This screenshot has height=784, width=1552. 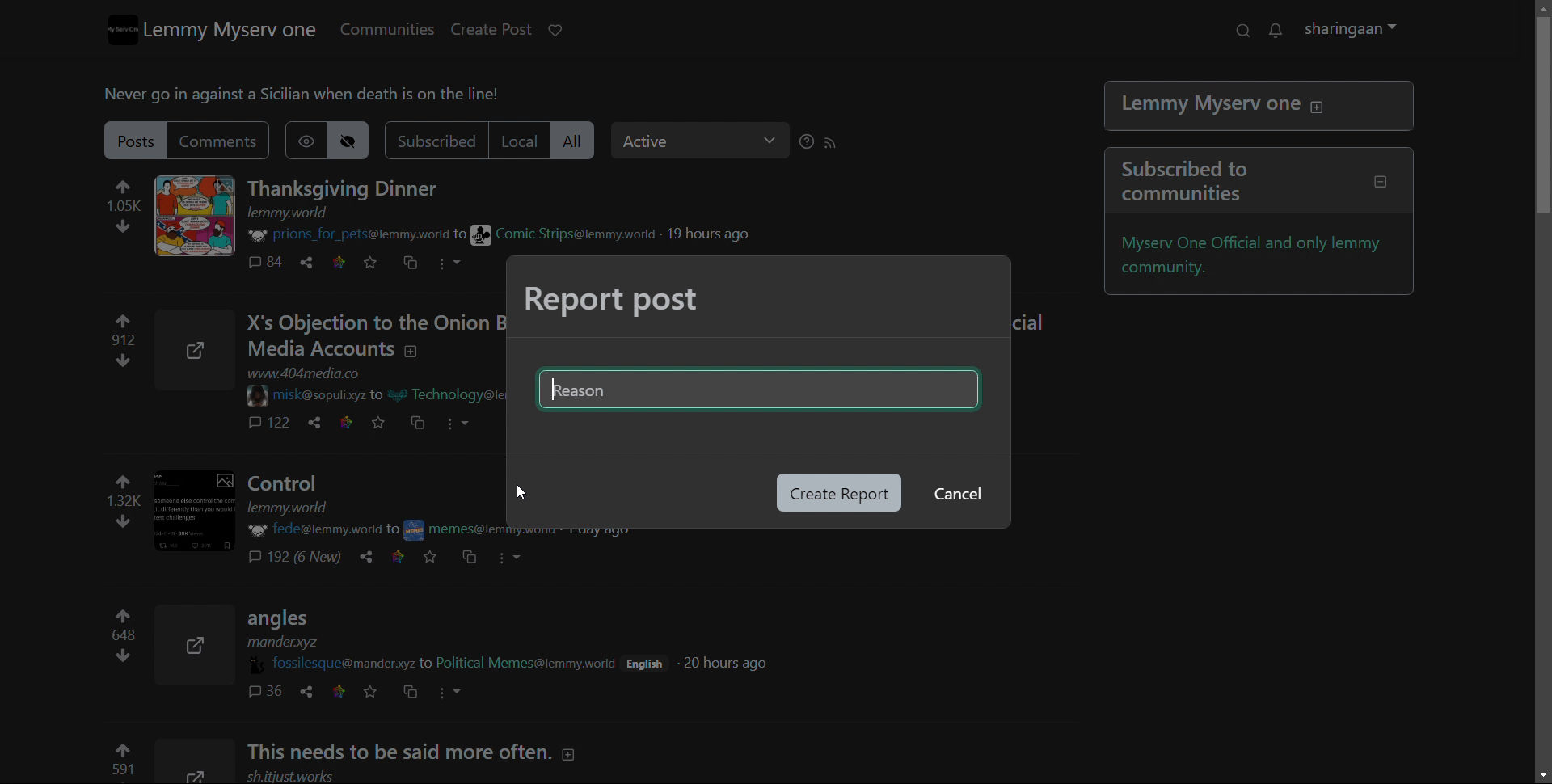 I want to click on share, so click(x=373, y=558).